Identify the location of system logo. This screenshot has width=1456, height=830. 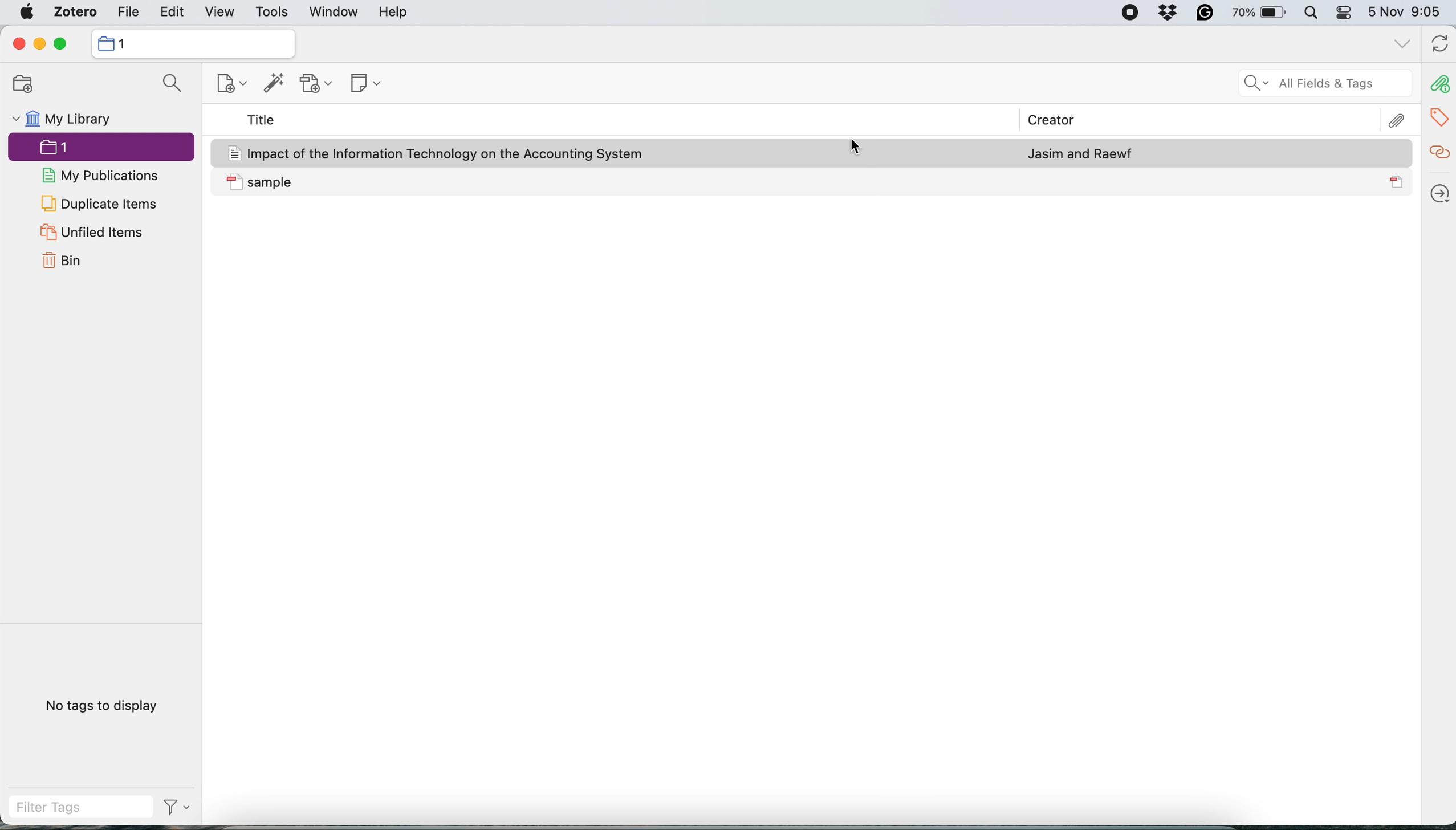
(27, 12).